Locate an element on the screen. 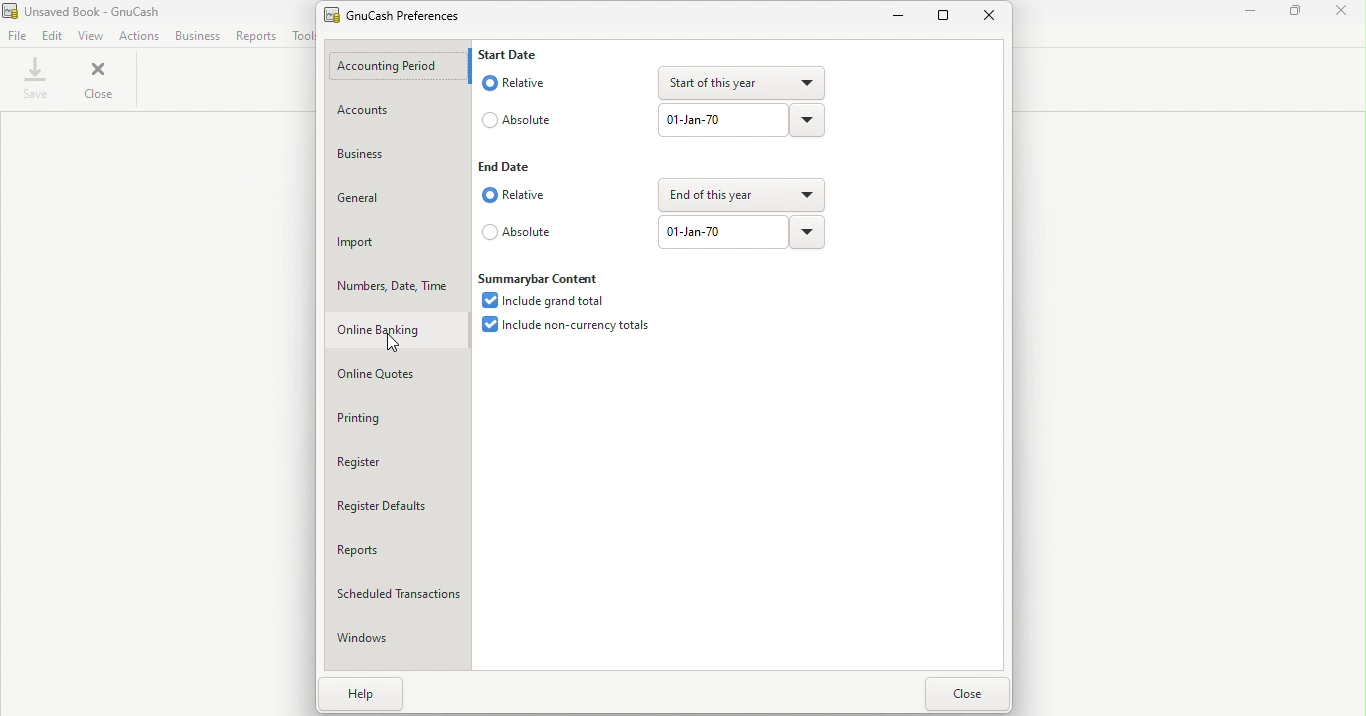 The width and height of the screenshot is (1366, 716). Absolute is located at coordinates (516, 122).